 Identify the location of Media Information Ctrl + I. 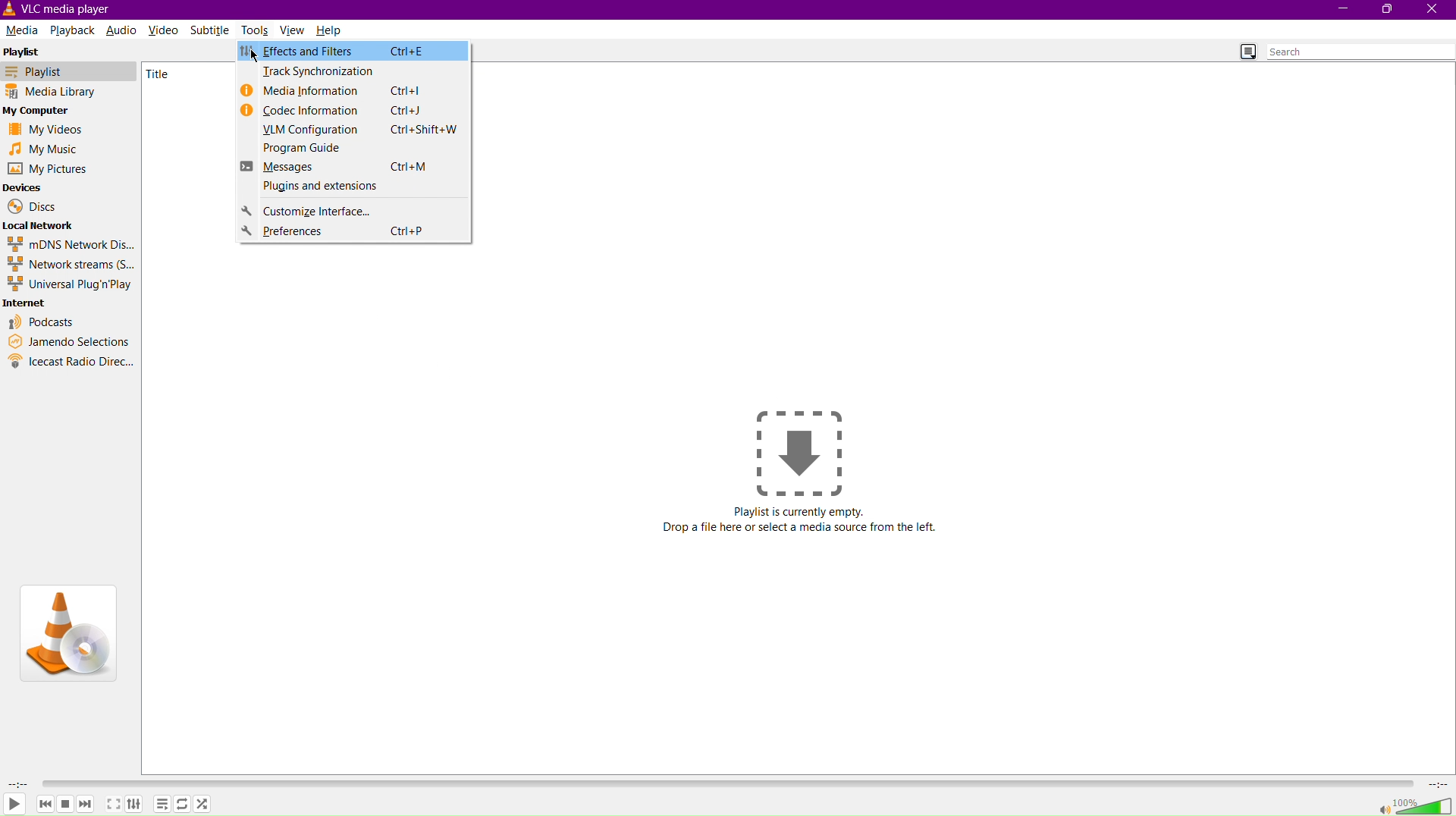
(353, 93).